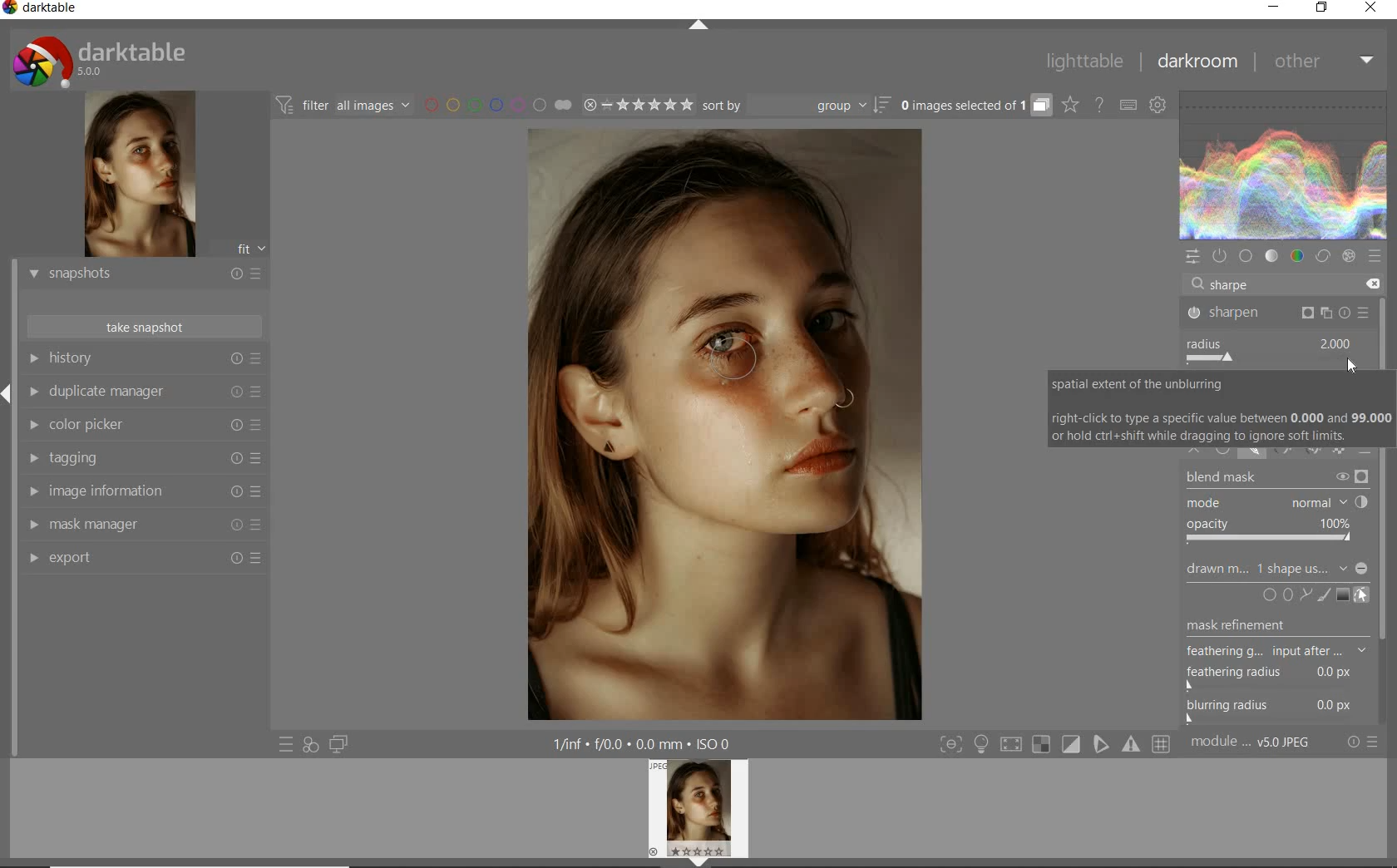  What do you see at coordinates (1277, 479) in the screenshot?
I see `BLEND MASK` at bounding box center [1277, 479].